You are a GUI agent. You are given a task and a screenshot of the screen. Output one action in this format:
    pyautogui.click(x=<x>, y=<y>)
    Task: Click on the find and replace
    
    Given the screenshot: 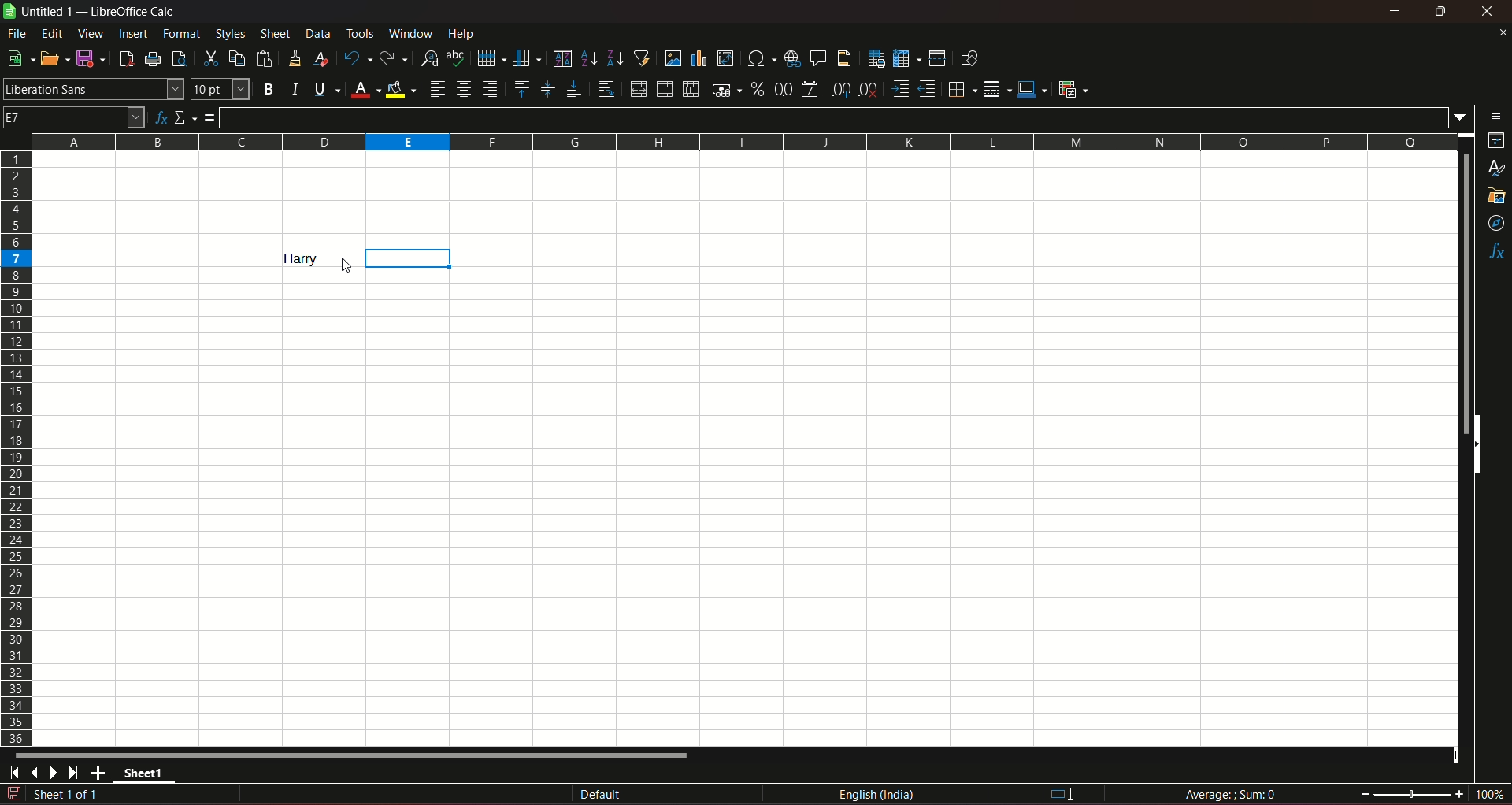 What is the action you would take?
    pyautogui.click(x=428, y=57)
    